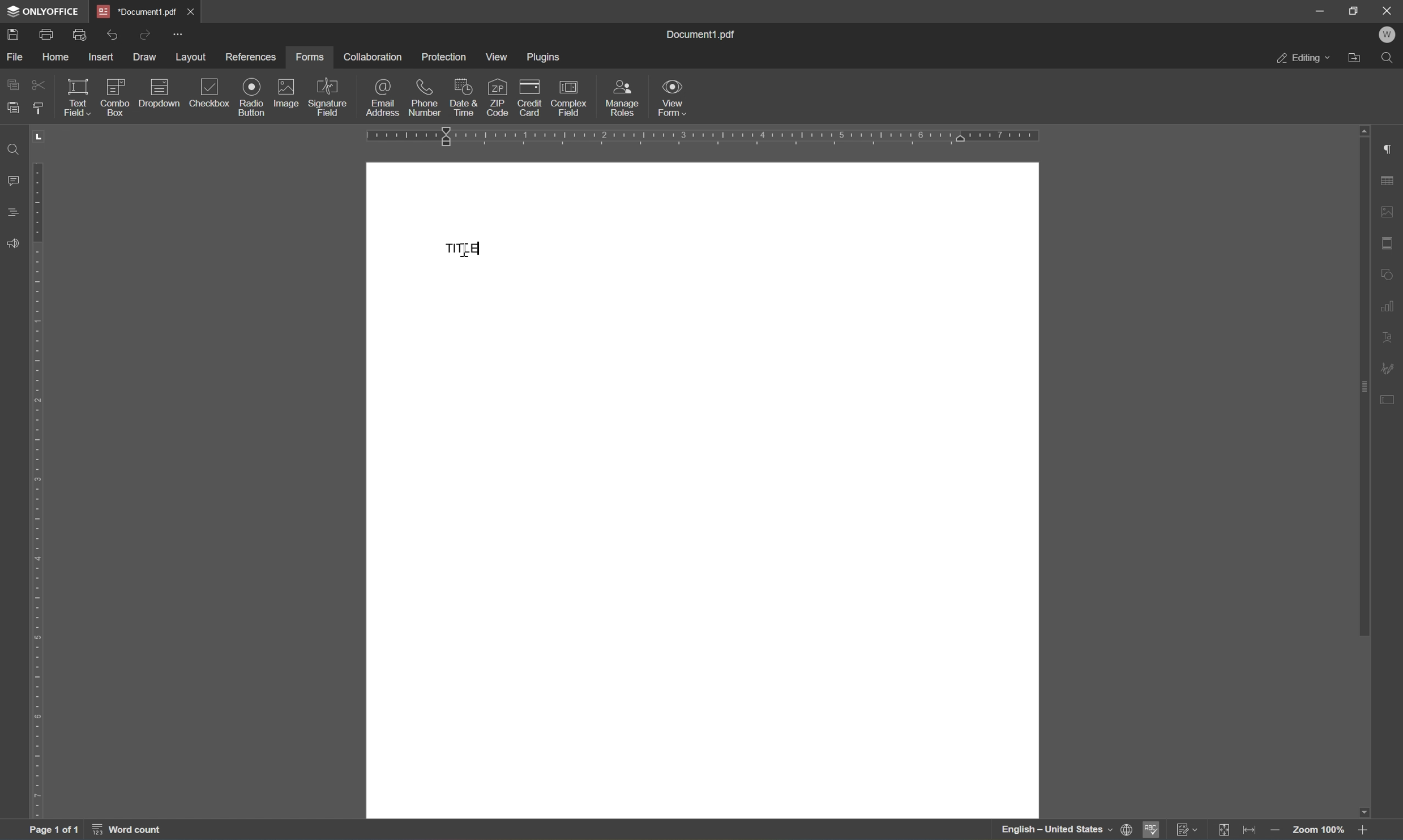  I want to click on phone number, so click(425, 96).